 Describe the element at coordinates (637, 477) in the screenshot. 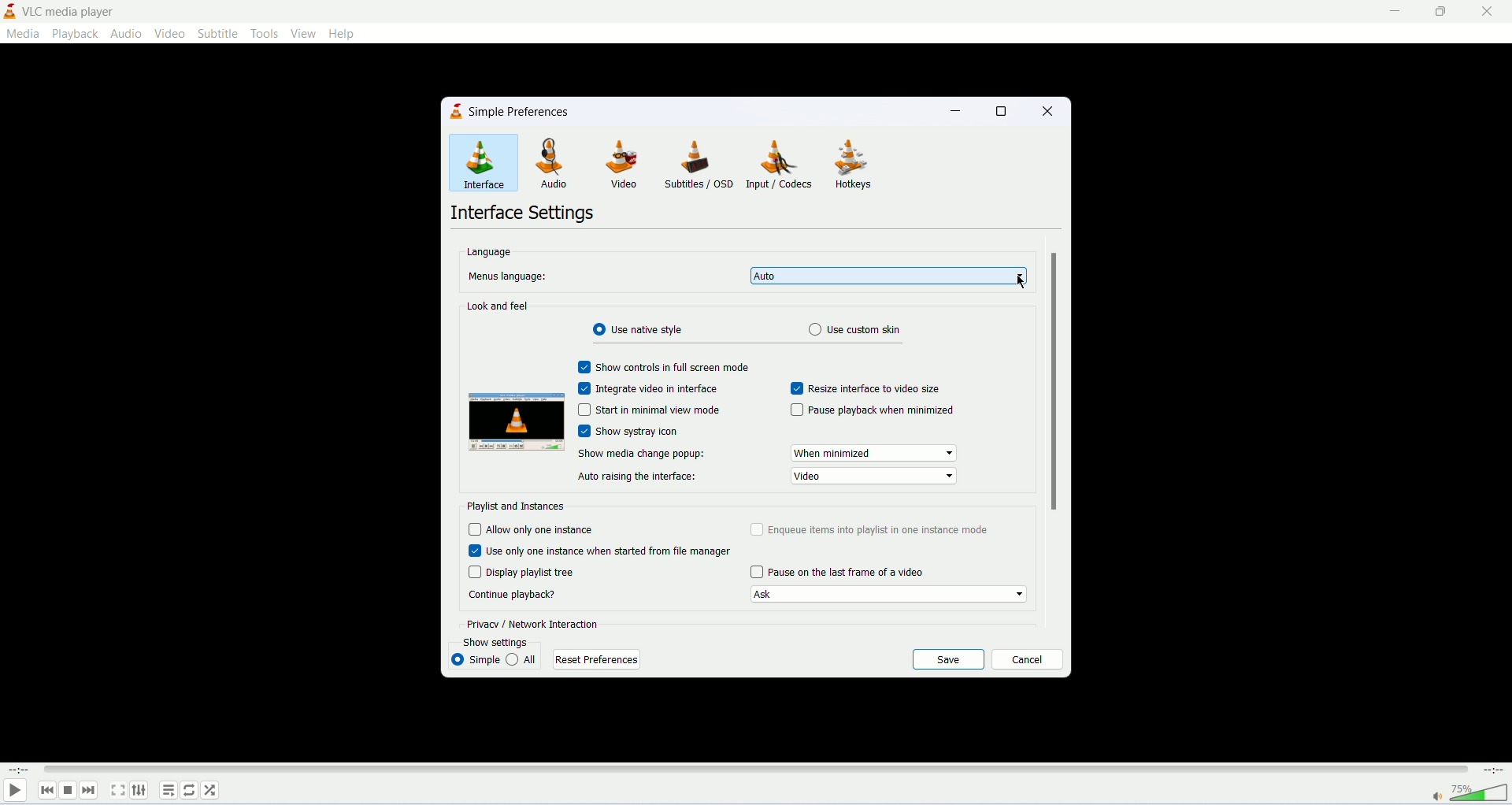

I see `auto raising the interface` at that location.